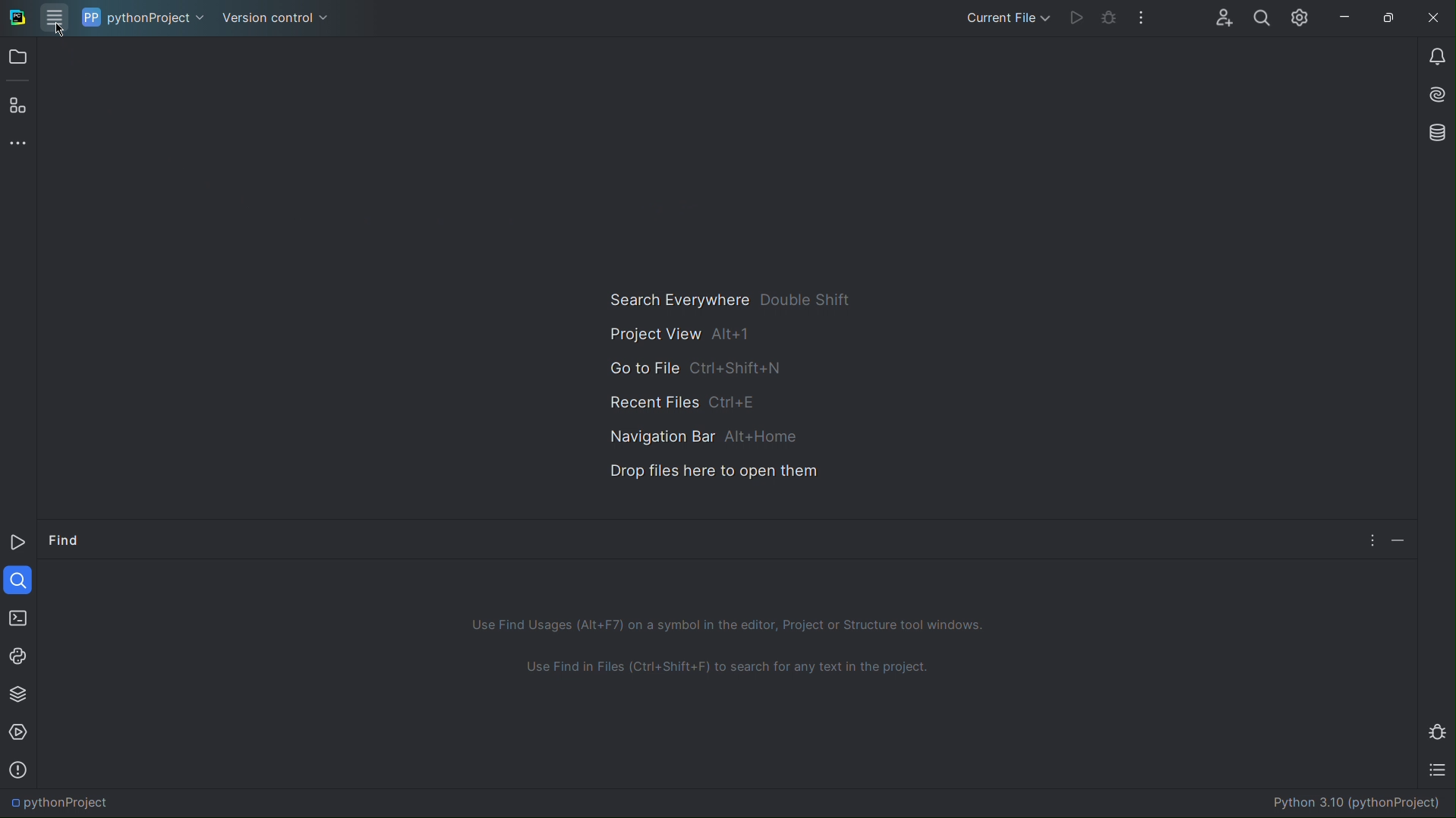  Describe the element at coordinates (685, 335) in the screenshot. I see `Project View` at that location.